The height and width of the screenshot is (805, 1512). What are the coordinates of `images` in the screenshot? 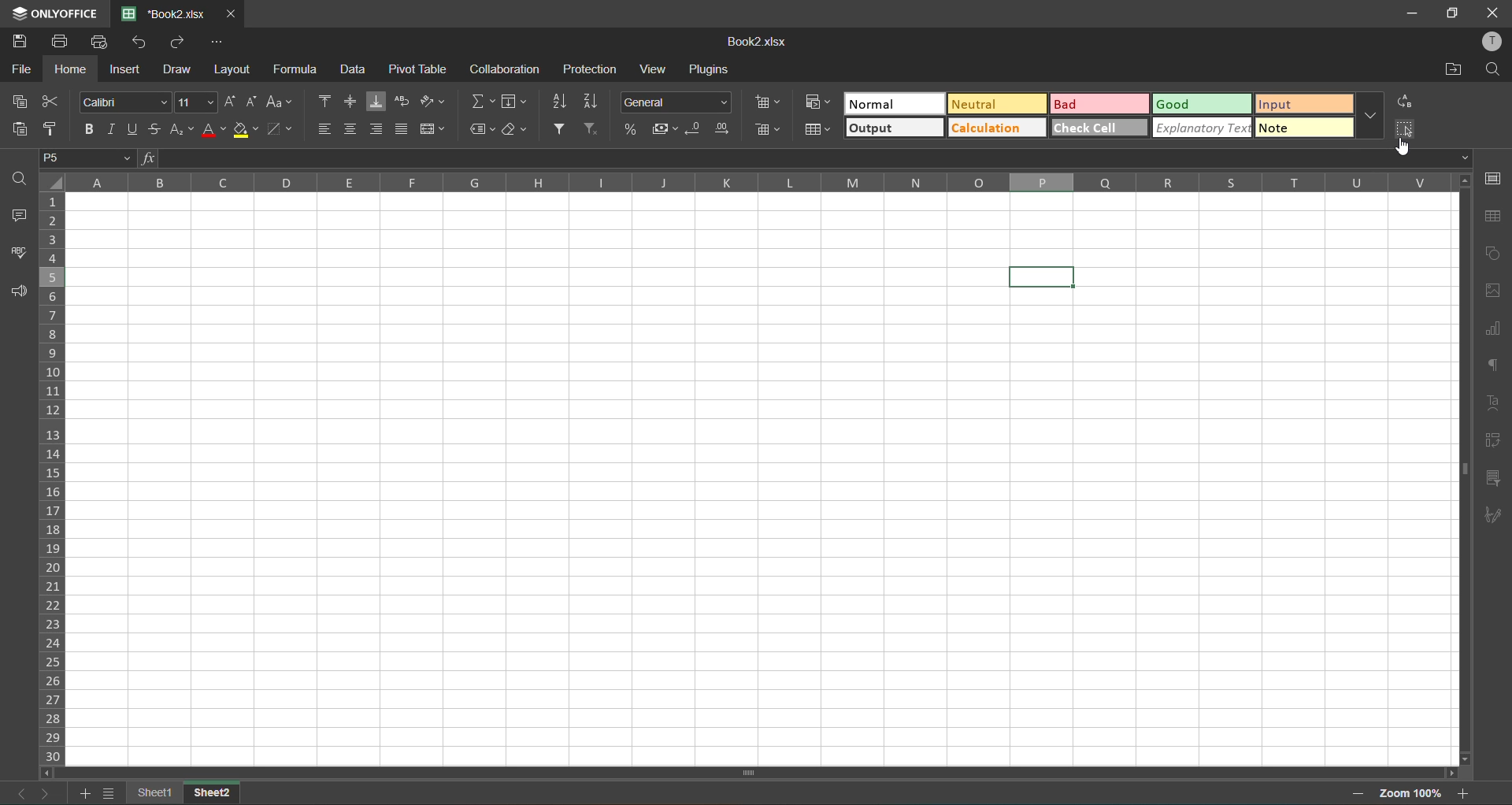 It's located at (1495, 292).